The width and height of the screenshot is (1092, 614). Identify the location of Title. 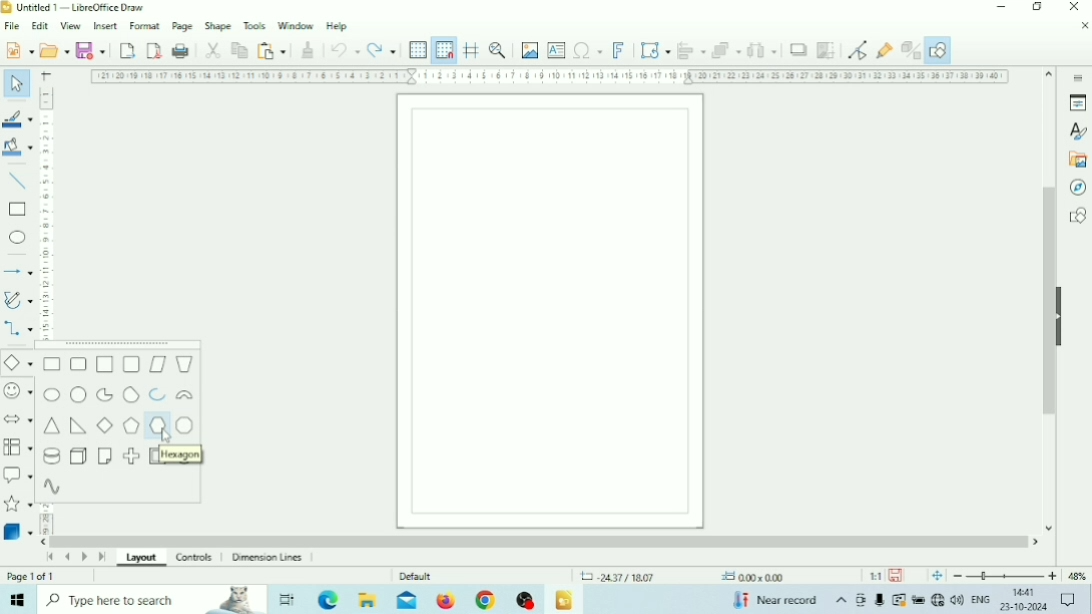
(80, 7).